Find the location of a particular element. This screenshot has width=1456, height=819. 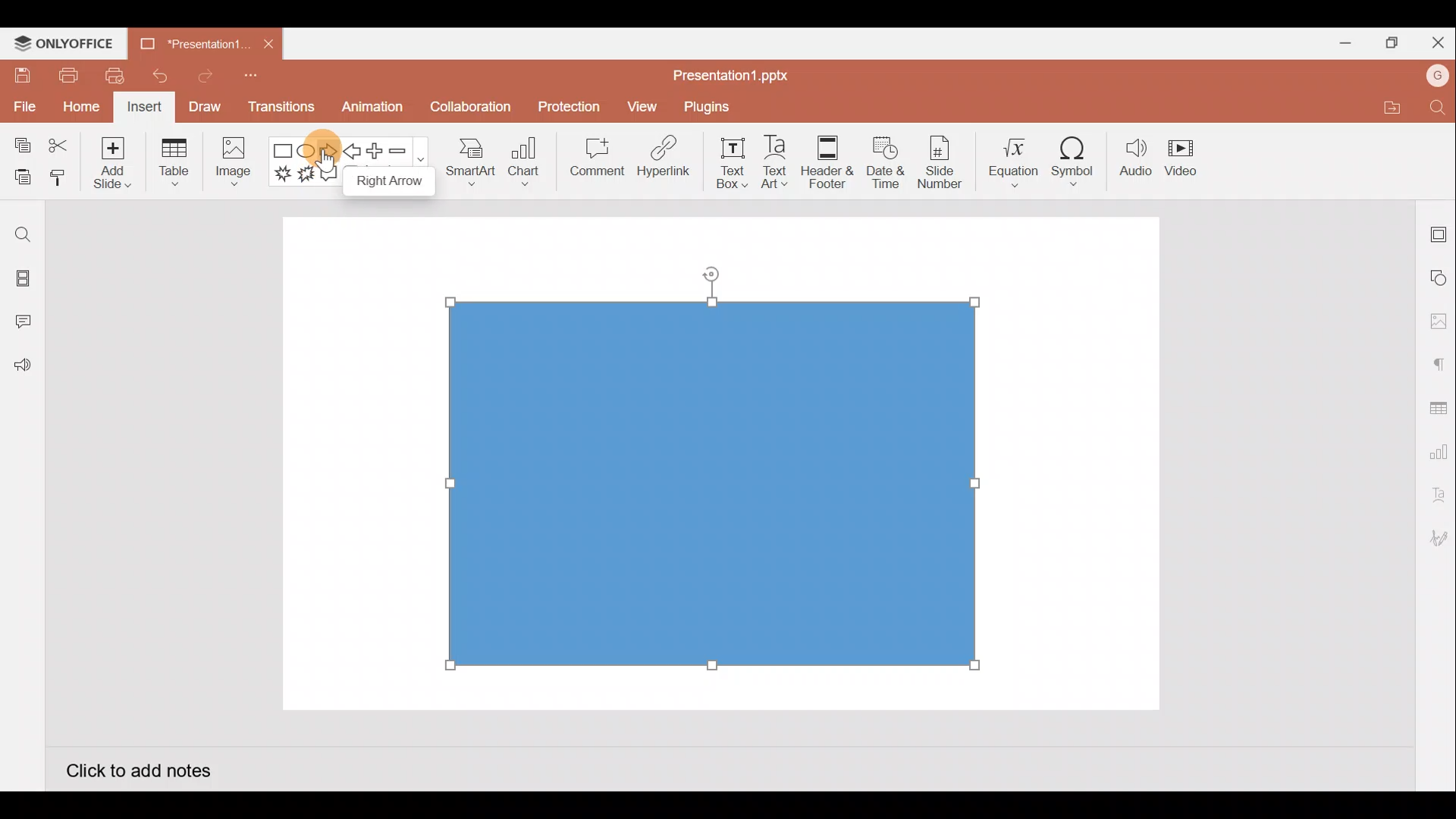

Find is located at coordinates (23, 234).